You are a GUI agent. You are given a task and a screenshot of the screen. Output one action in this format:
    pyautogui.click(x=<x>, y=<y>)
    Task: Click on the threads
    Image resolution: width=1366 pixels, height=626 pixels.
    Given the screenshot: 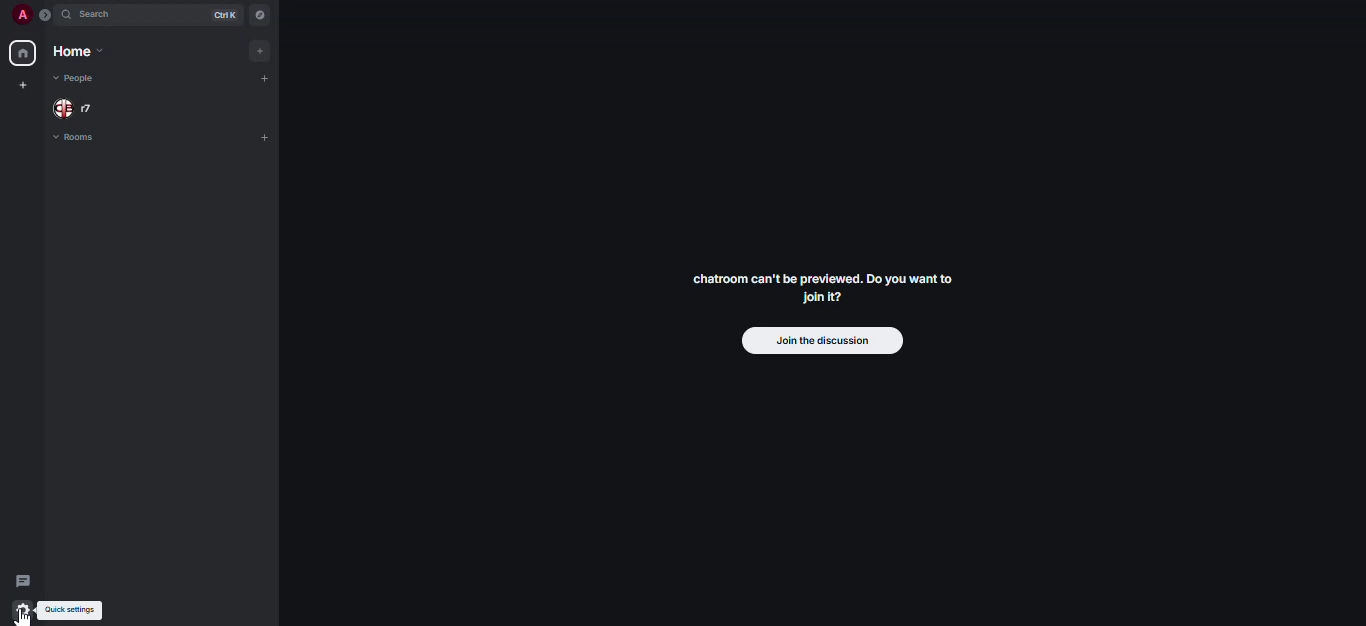 What is the action you would take?
    pyautogui.click(x=21, y=580)
    